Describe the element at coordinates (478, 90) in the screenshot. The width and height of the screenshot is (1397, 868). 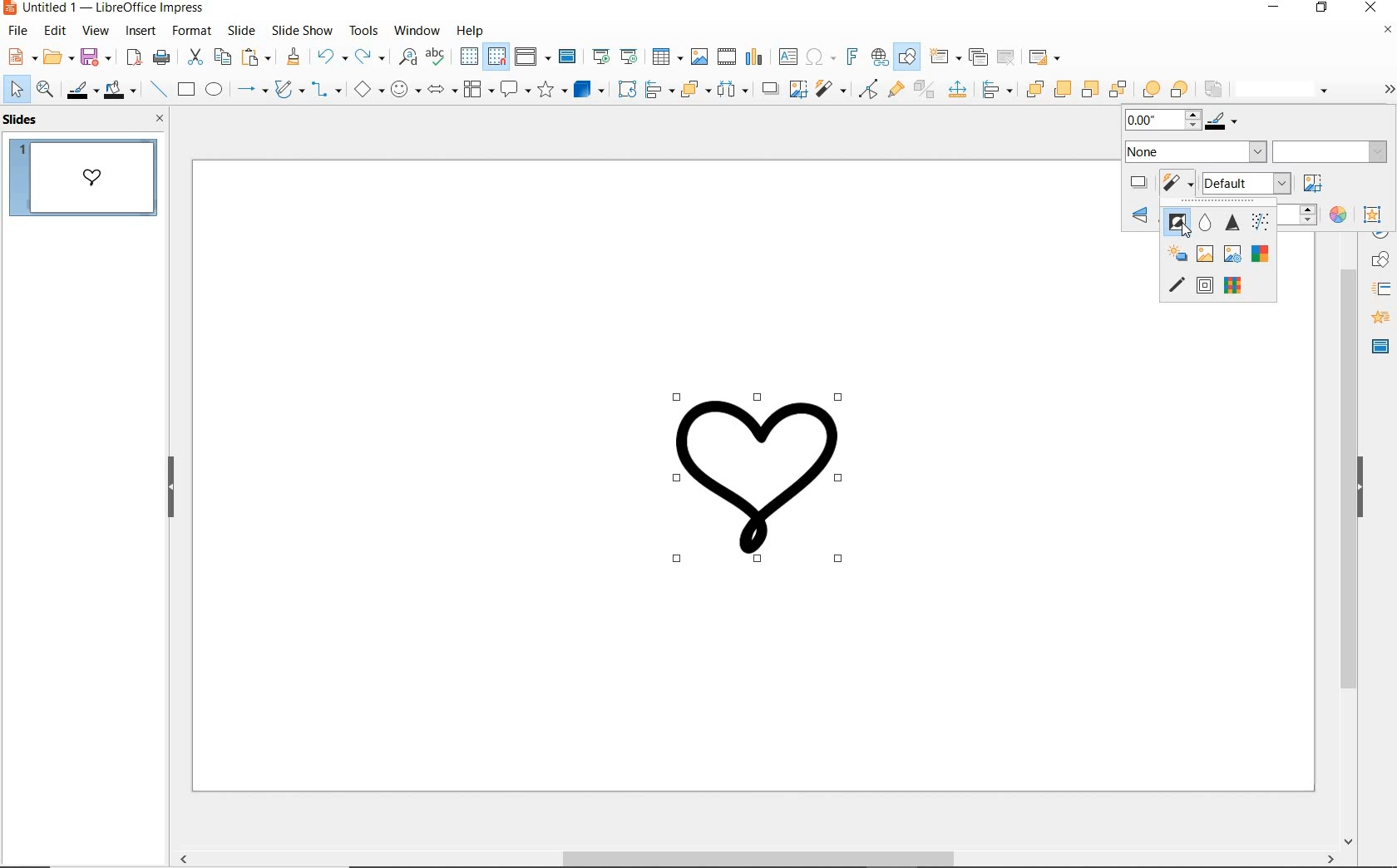
I see `flowchart` at that location.